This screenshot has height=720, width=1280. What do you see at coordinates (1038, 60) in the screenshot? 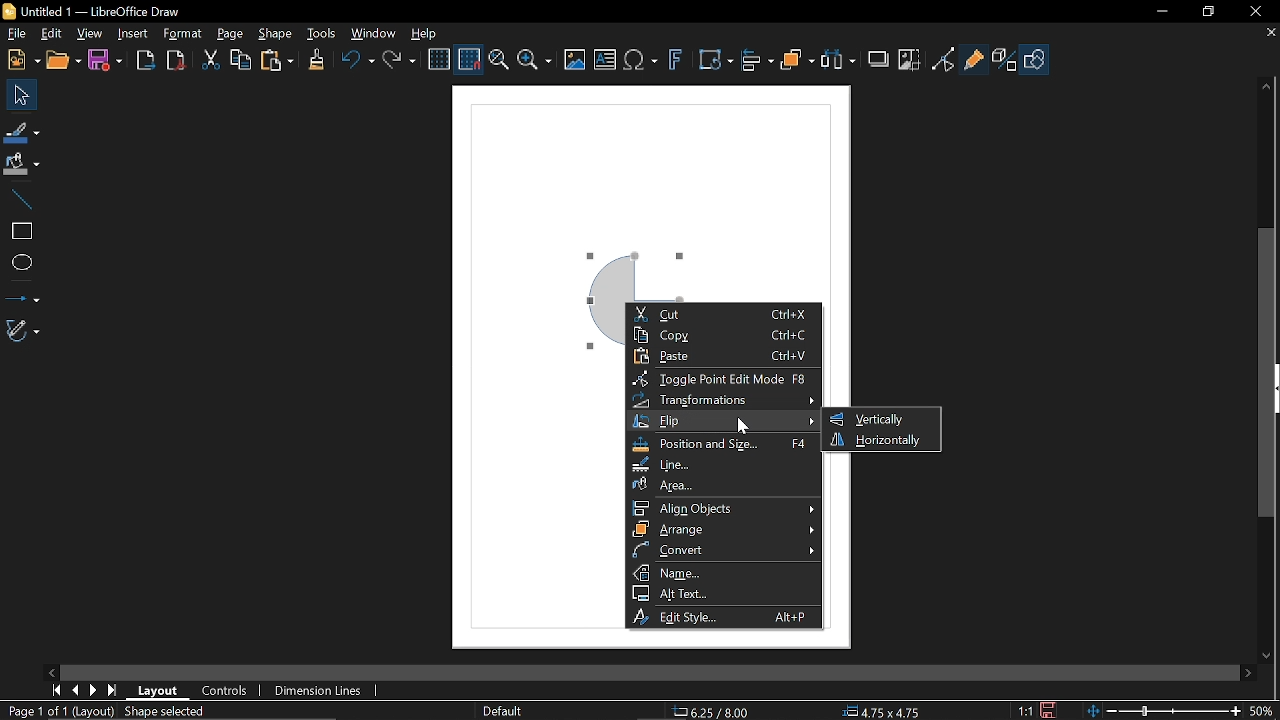
I see `Shape` at bounding box center [1038, 60].